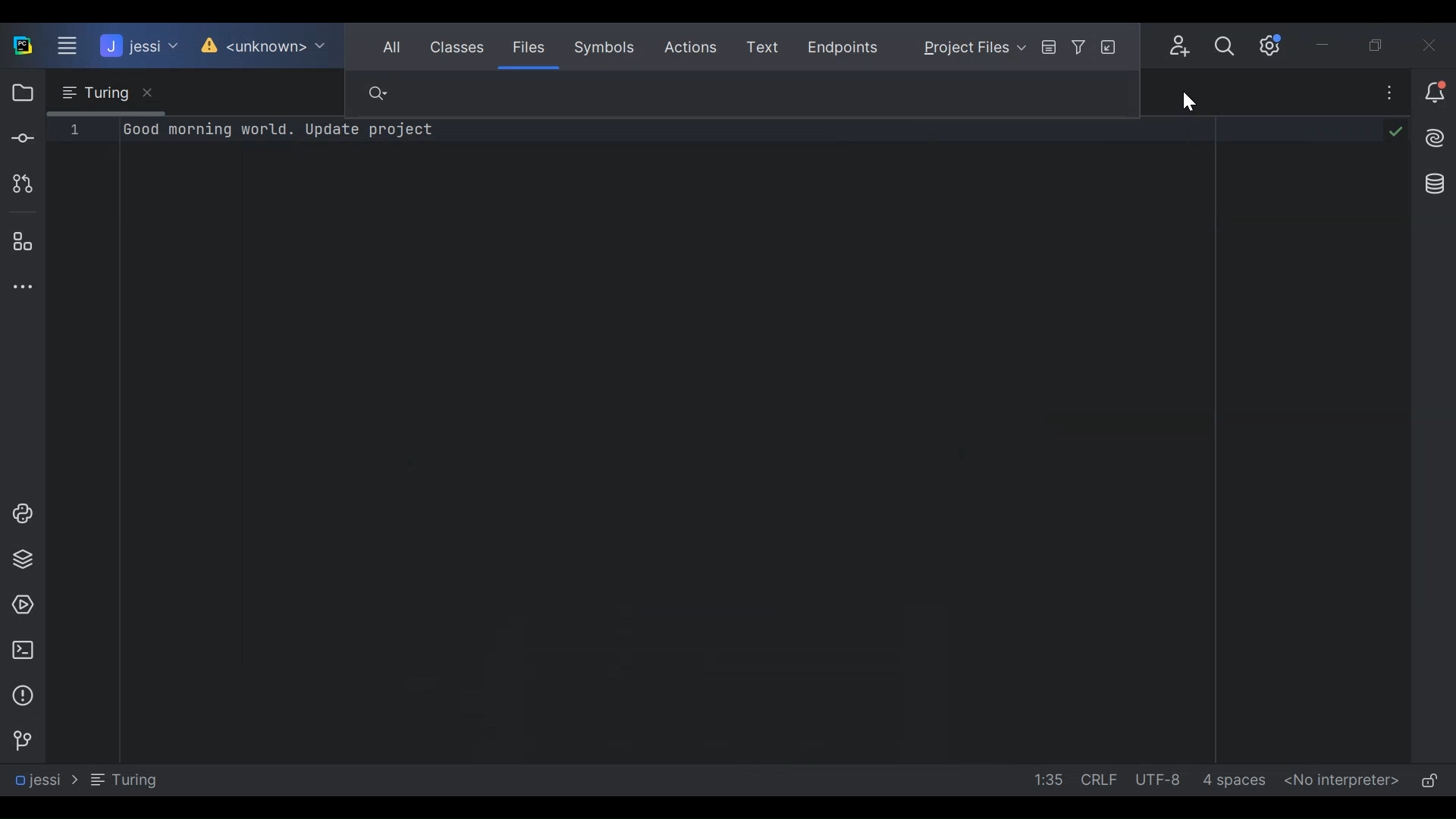 This screenshot has width=1456, height=819. What do you see at coordinates (459, 47) in the screenshot?
I see `Classes` at bounding box center [459, 47].